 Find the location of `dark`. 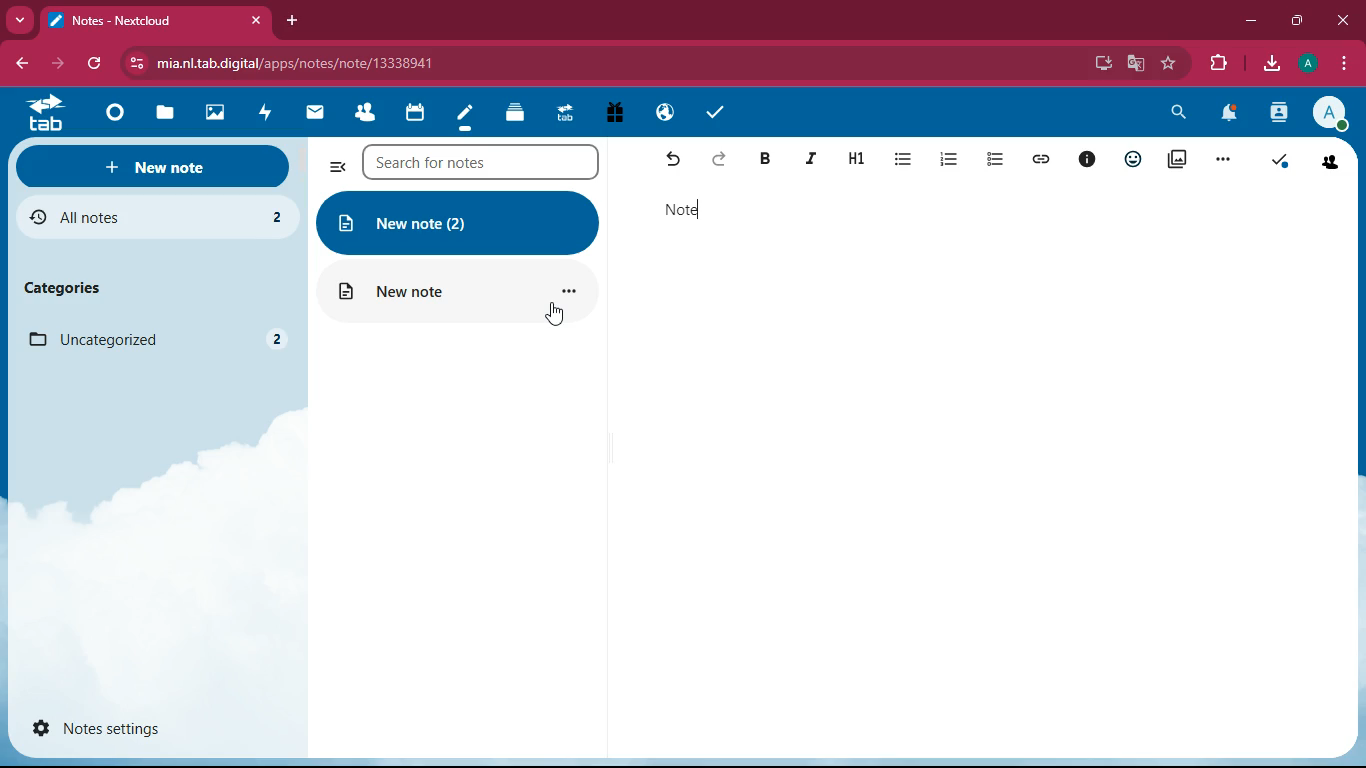

dark is located at coordinates (769, 160).